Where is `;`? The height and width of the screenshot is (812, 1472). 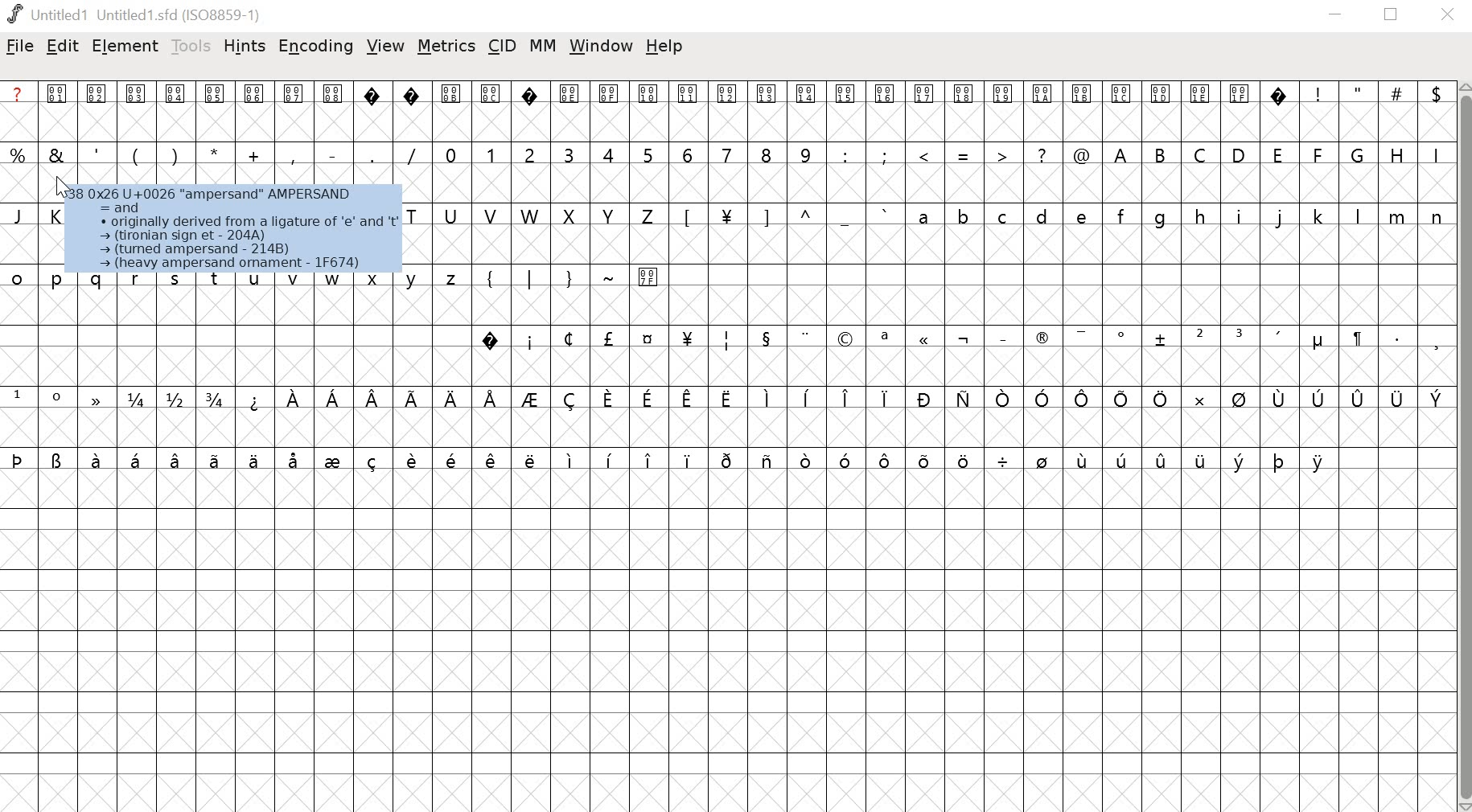 ; is located at coordinates (886, 154).